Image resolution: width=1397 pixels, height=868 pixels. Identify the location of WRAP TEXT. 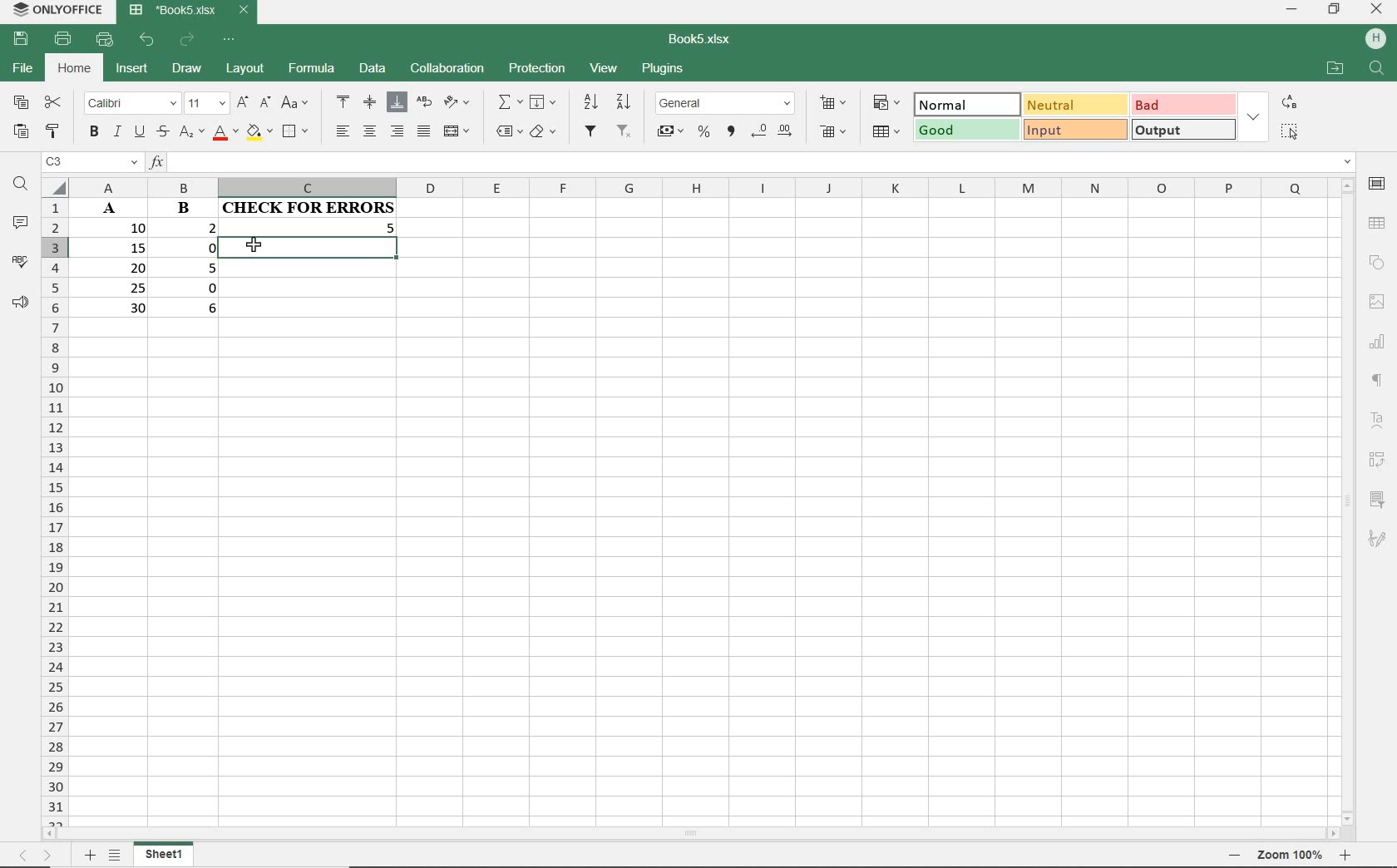
(423, 103).